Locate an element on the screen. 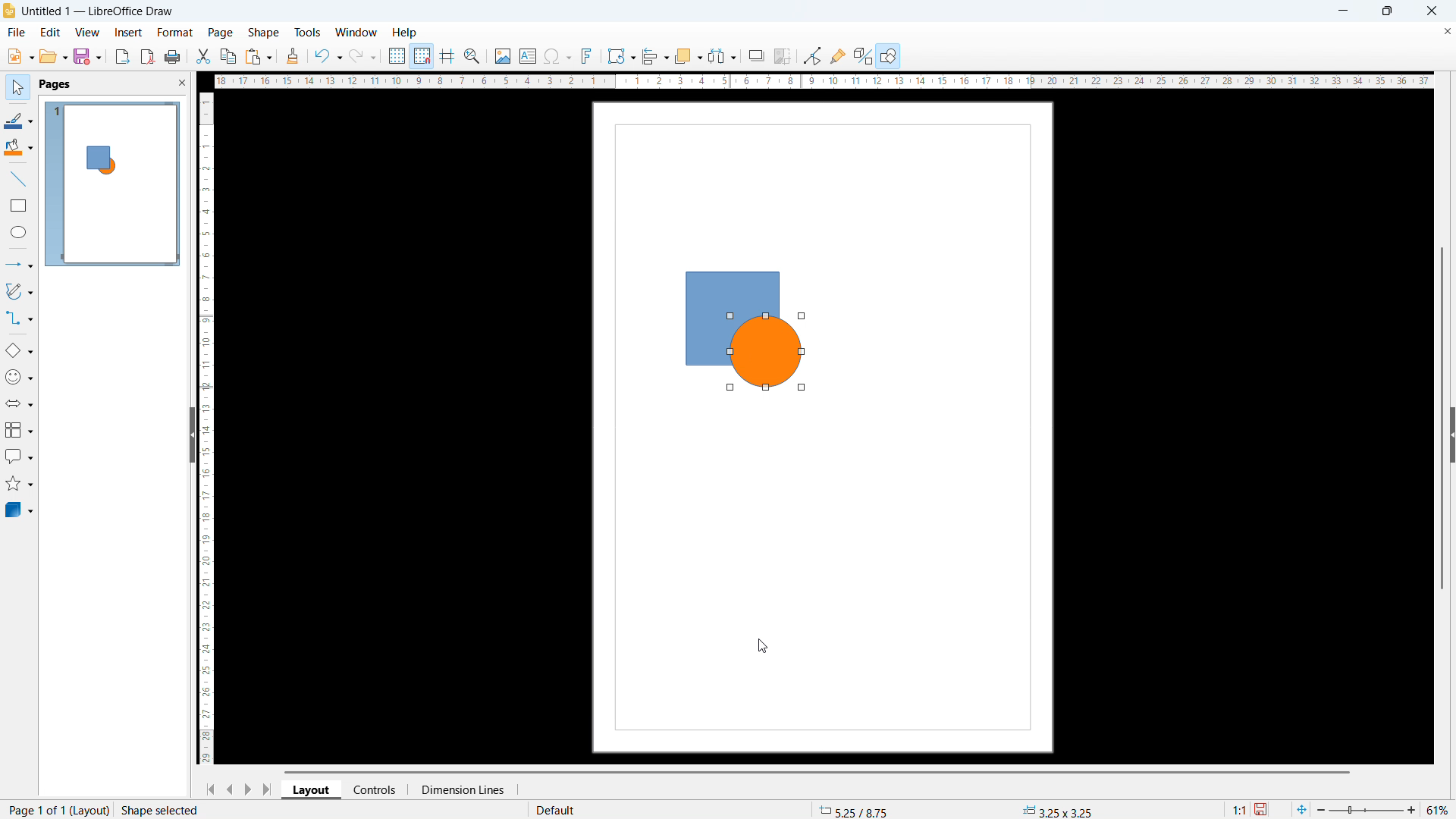  insert image is located at coordinates (502, 55).